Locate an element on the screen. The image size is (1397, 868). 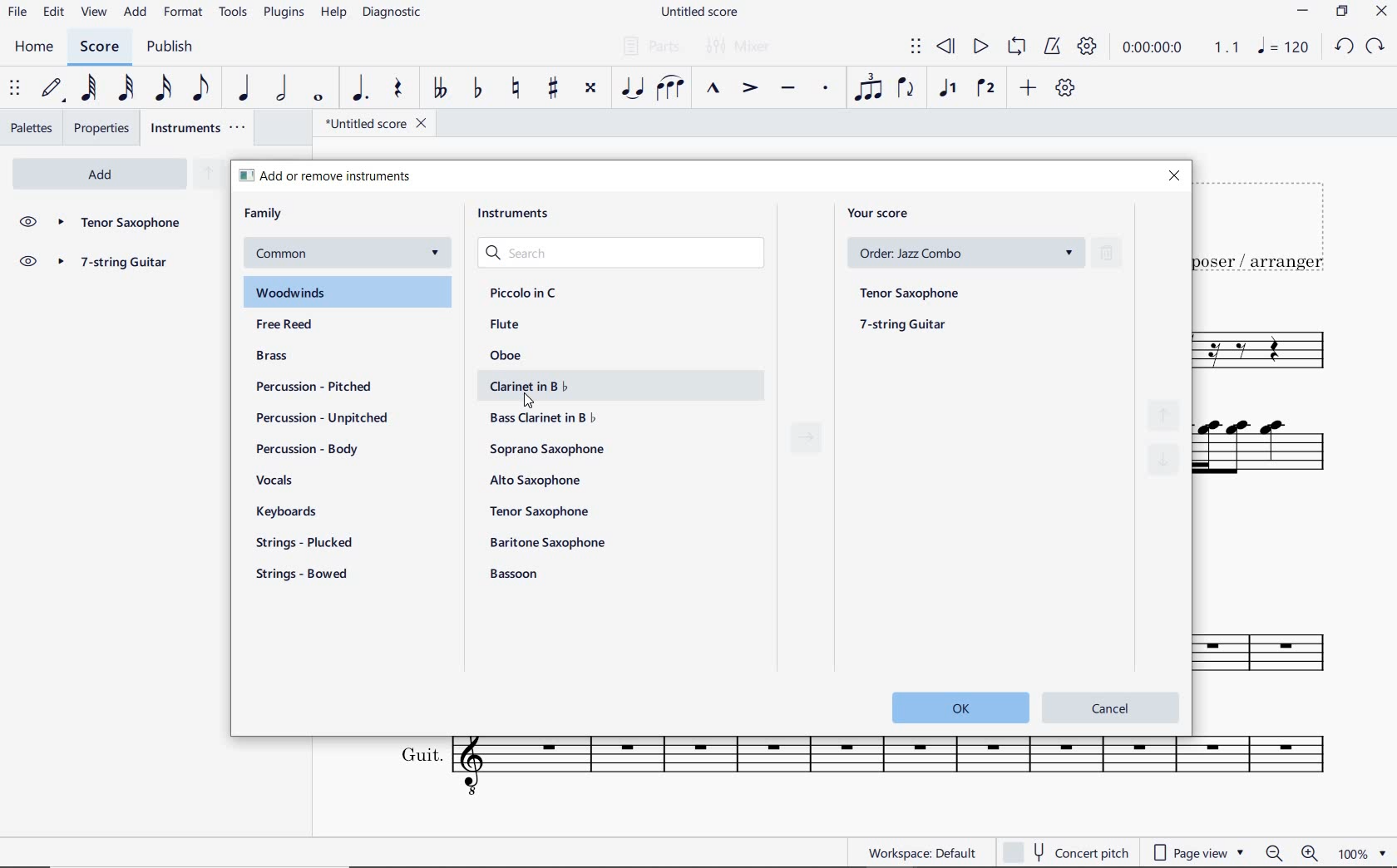
family is located at coordinates (264, 214).